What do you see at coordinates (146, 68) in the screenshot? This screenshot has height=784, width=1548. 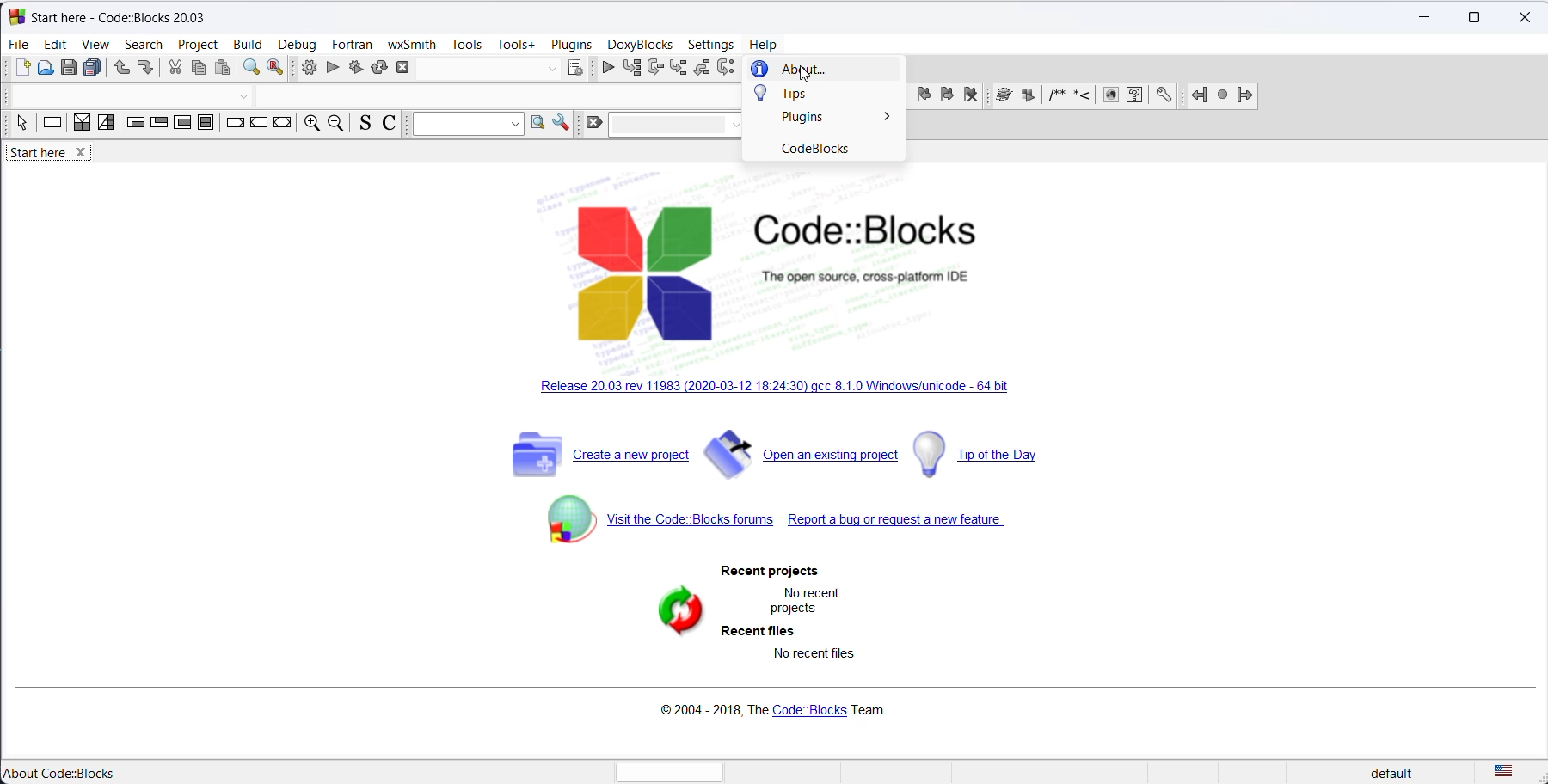 I see `redo` at bounding box center [146, 68].